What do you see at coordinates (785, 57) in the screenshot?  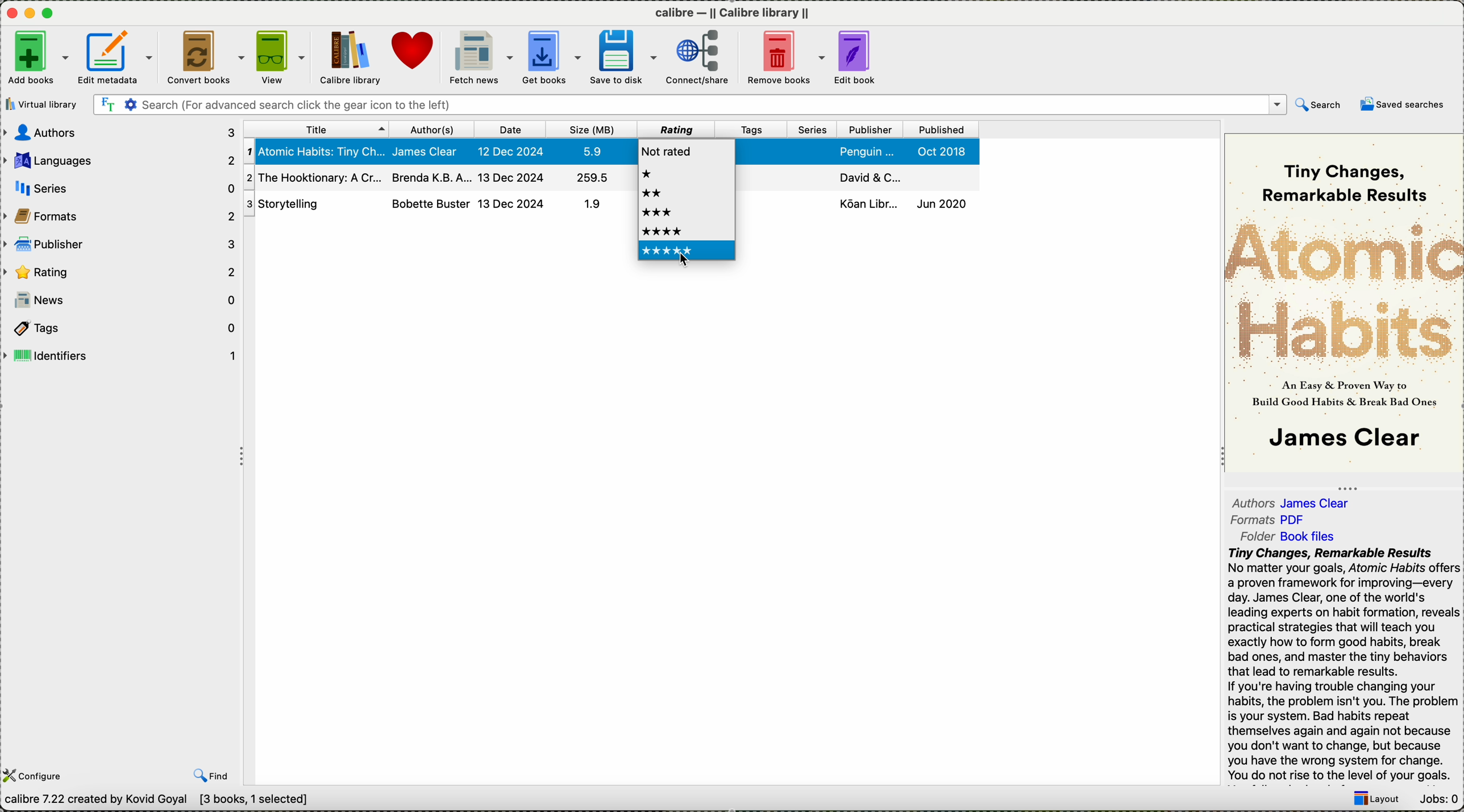 I see `remove books` at bounding box center [785, 57].